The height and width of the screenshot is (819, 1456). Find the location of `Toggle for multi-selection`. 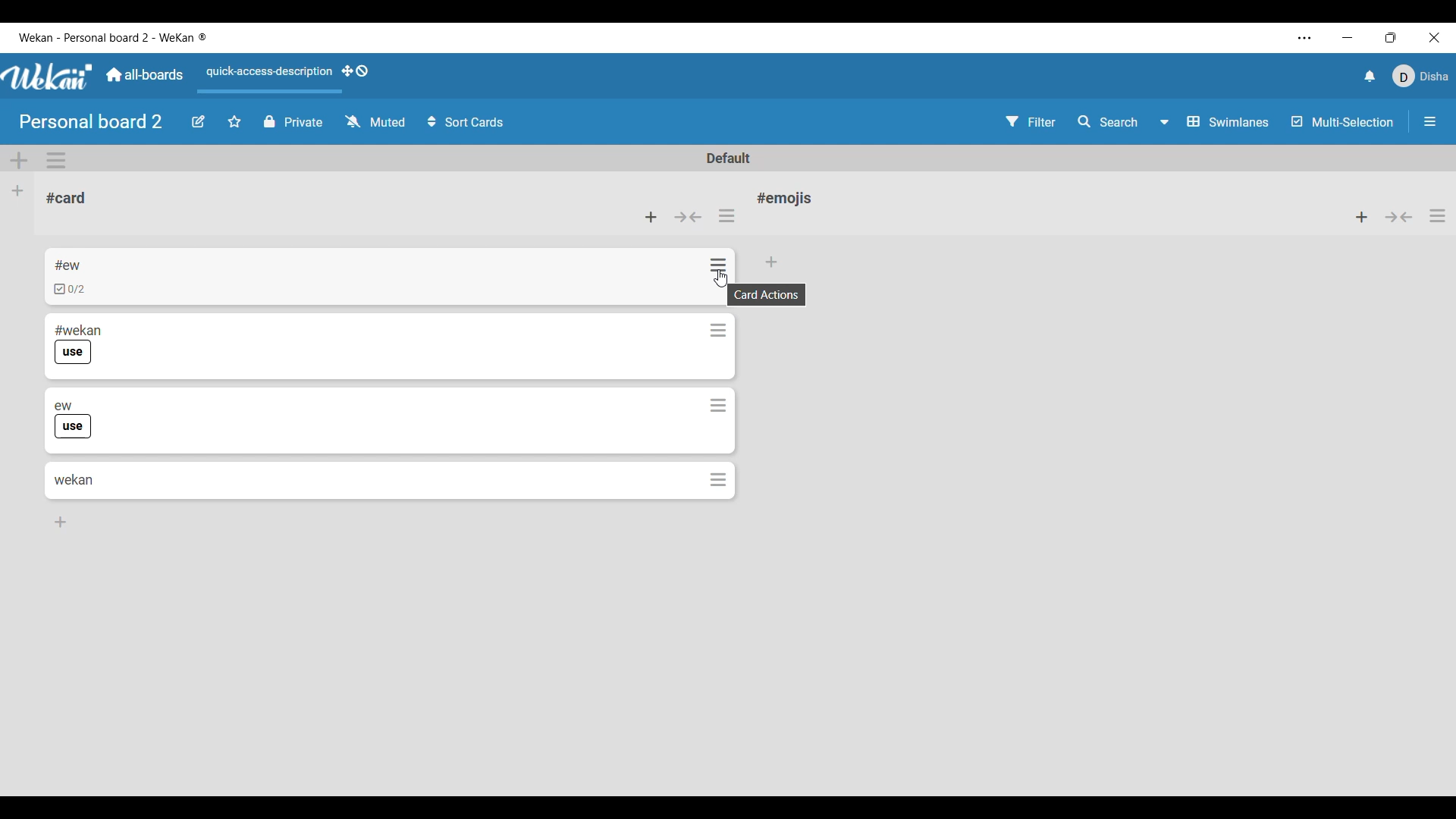

Toggle for multi-selection is located at coordinates (1342, 121).